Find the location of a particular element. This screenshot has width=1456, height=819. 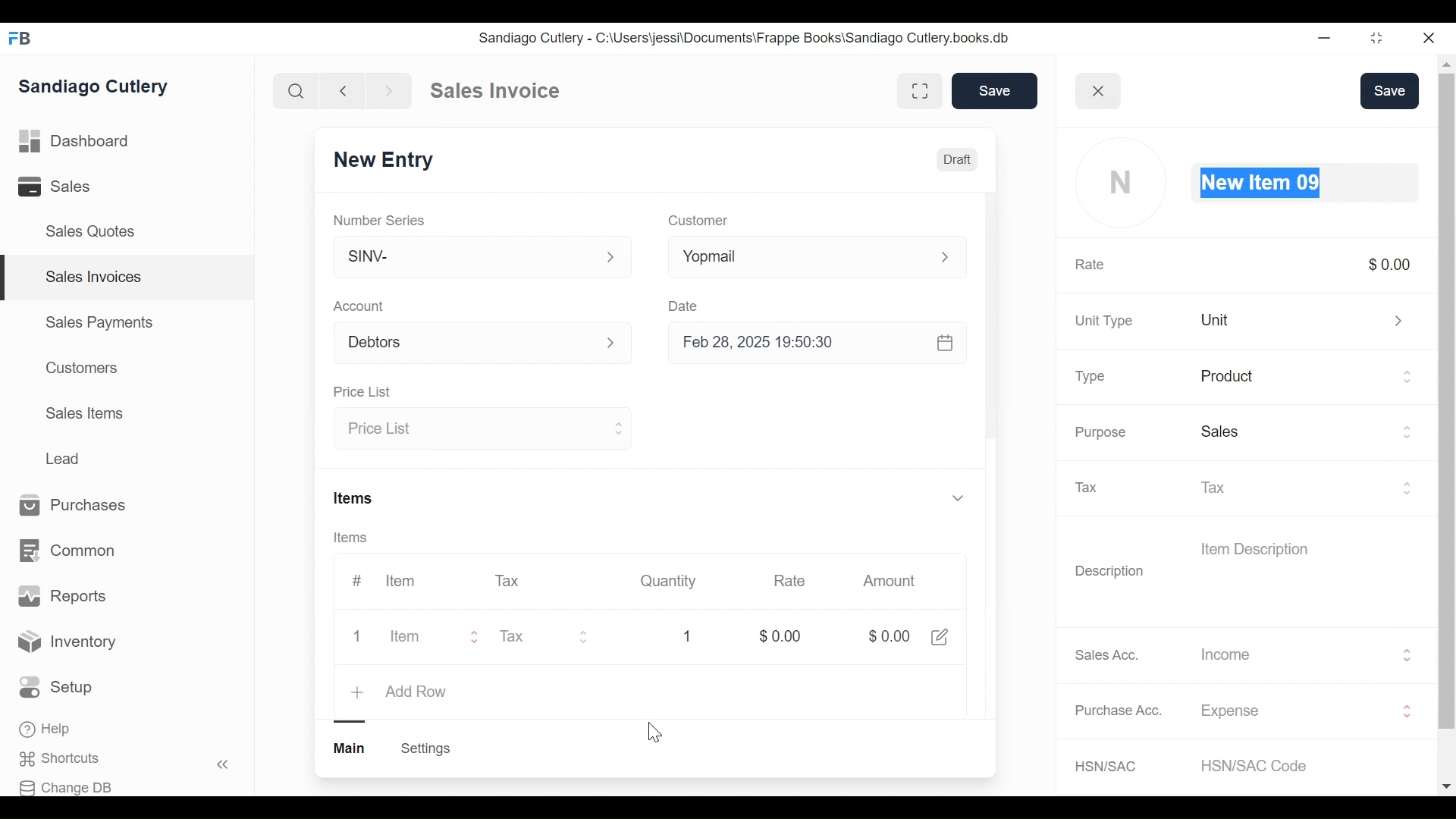

v is located at coordinates (957, 499).